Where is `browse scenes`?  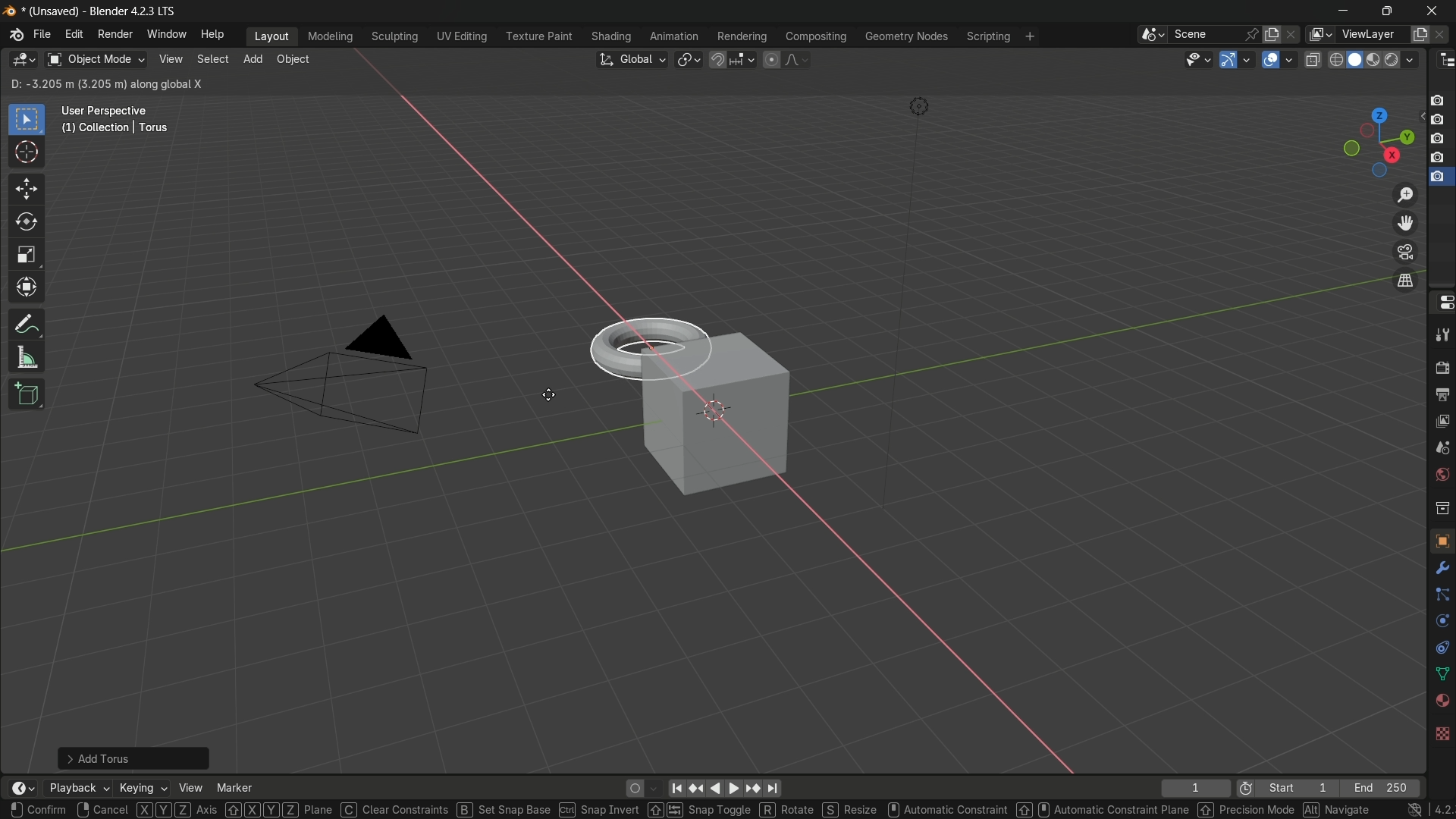
browse scenes is located at coordinates (1153, 35).